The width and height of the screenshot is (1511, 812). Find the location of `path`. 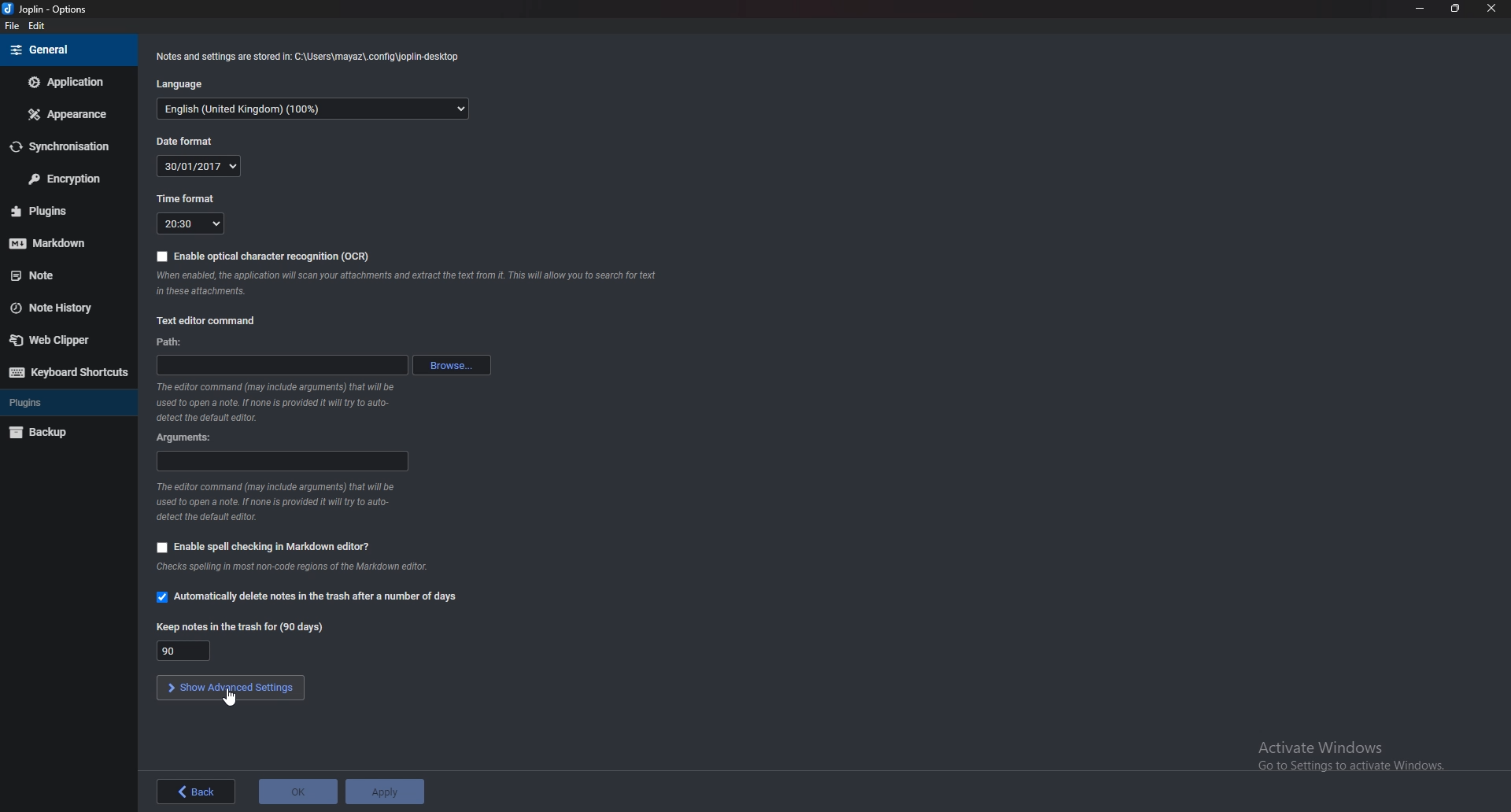

path is located at coordinates (282, 366).